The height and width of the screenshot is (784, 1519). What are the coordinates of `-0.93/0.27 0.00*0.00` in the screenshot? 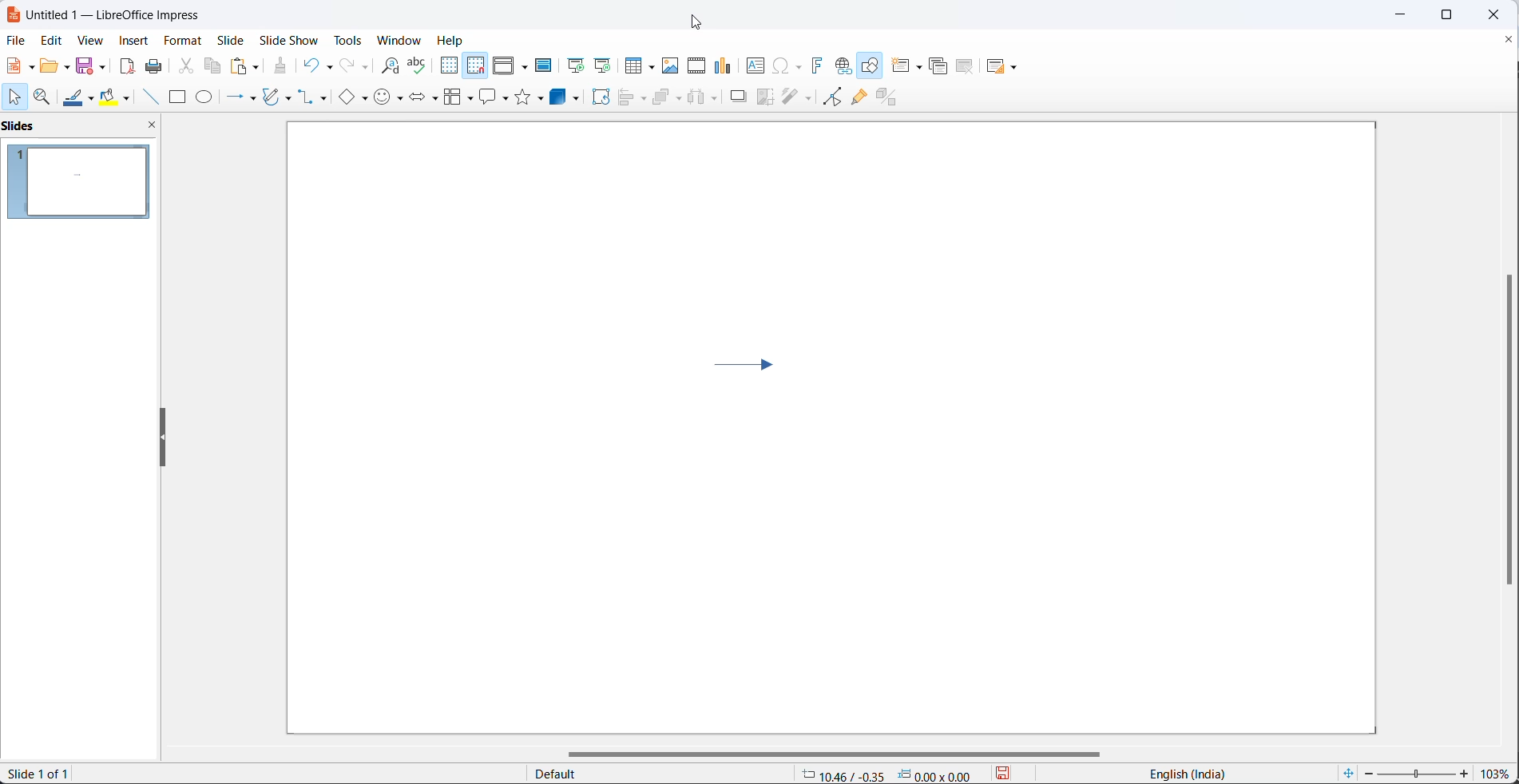 It's located at (892, 774).